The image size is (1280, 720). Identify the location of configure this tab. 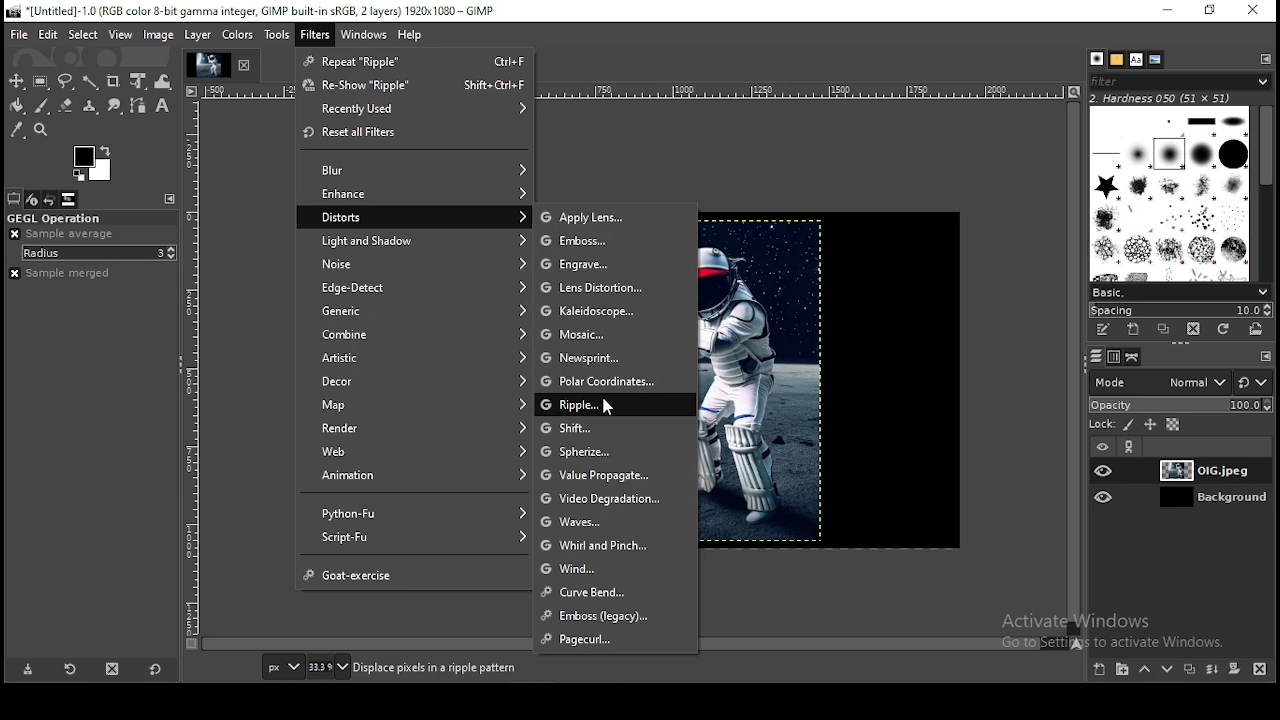
(1263, 58).